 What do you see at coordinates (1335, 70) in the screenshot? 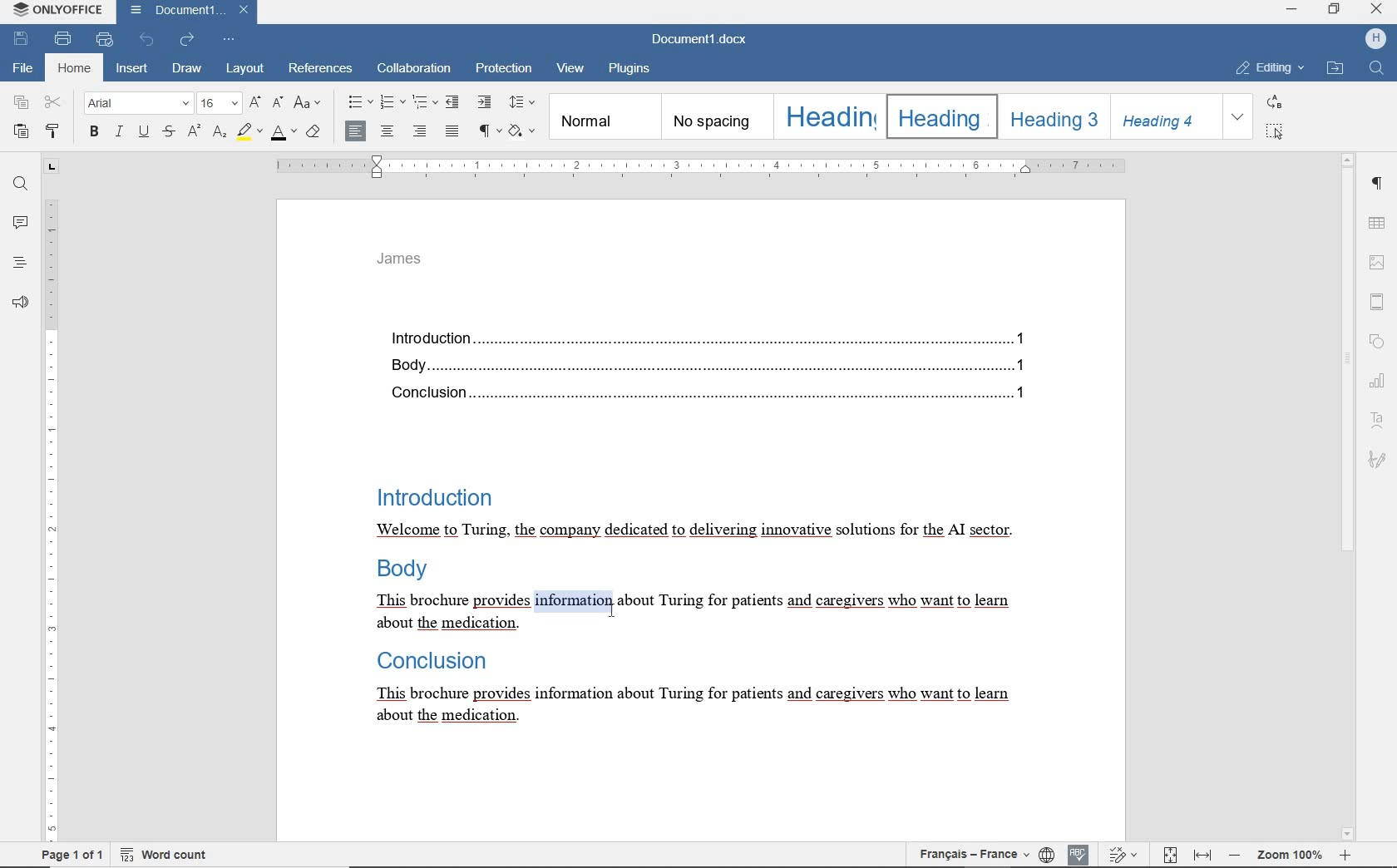
I see `OPEN FILE LOCATION` at bounding box center [1335, 70].